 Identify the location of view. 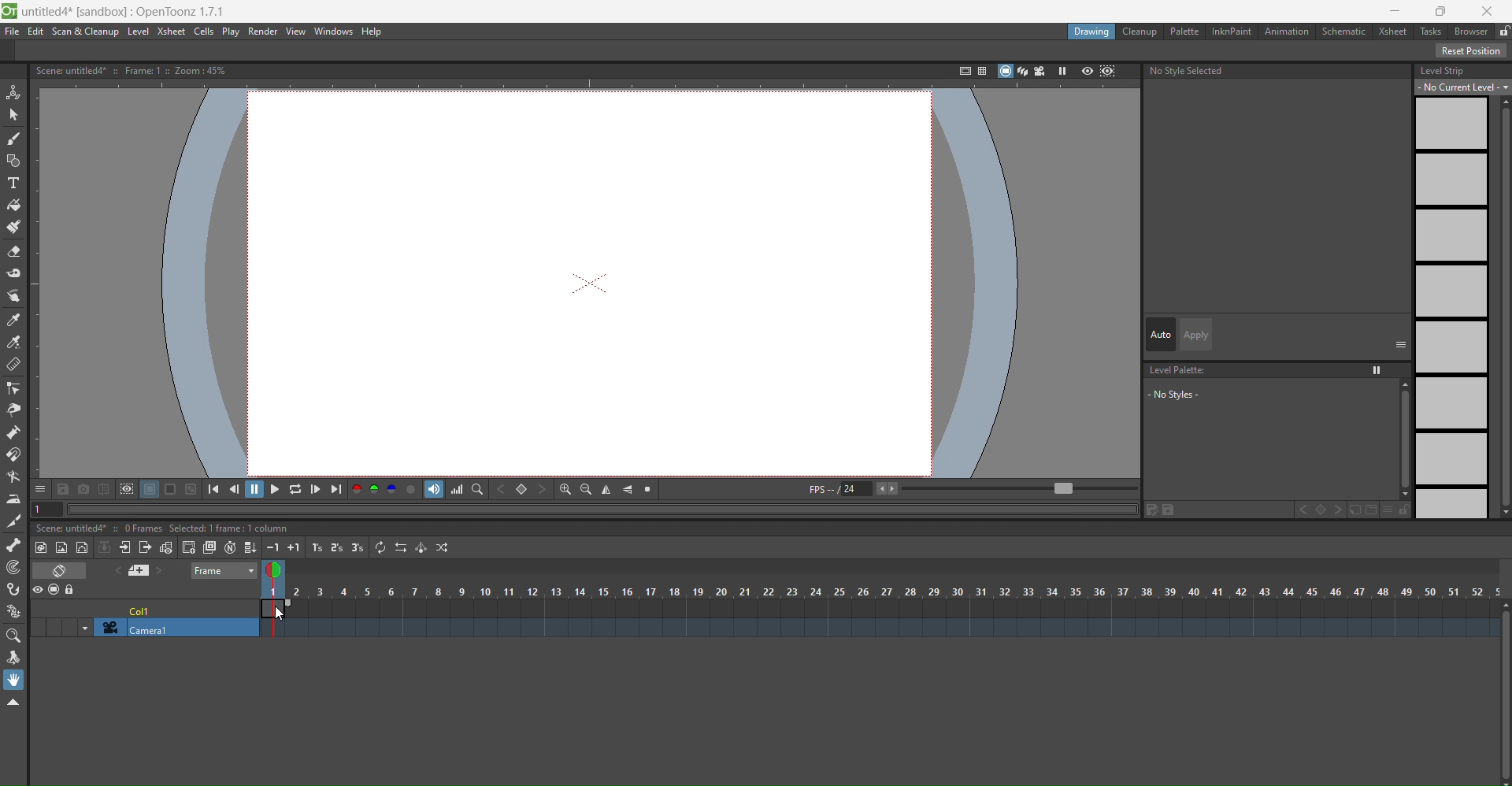
(277, 573).